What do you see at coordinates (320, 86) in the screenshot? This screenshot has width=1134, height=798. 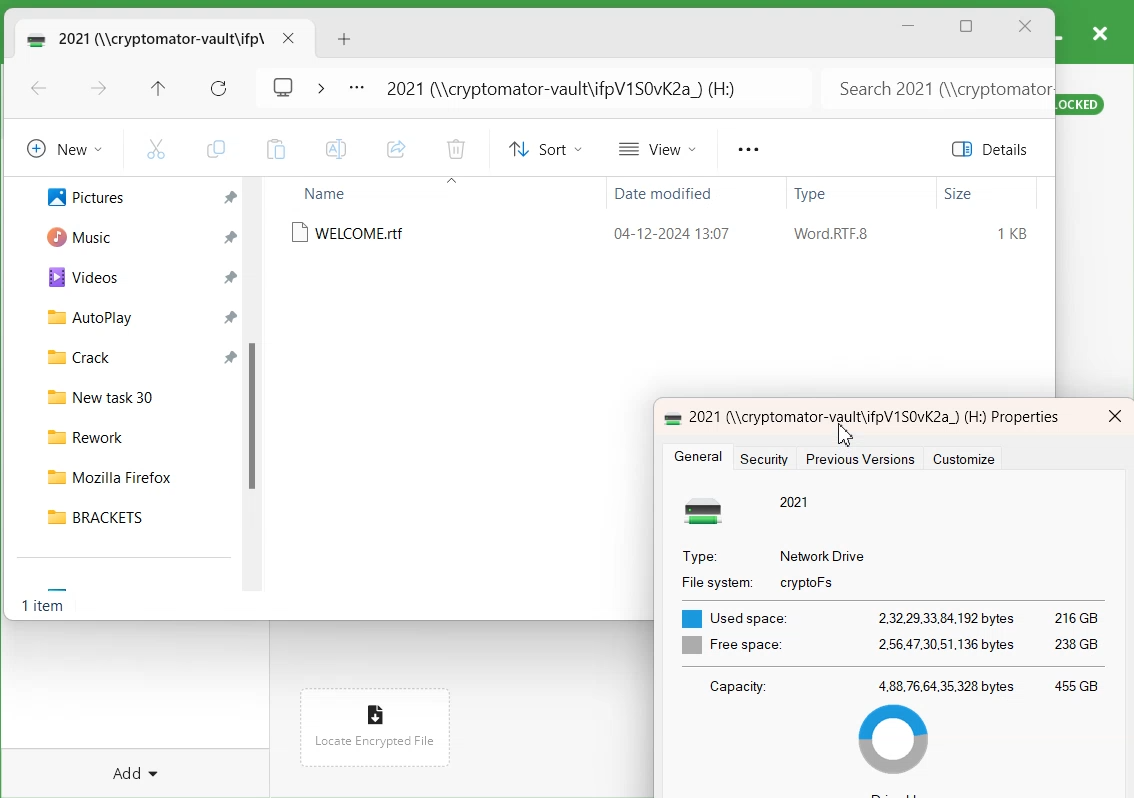 I see `Drop down box` at bounding box center [320, 86].